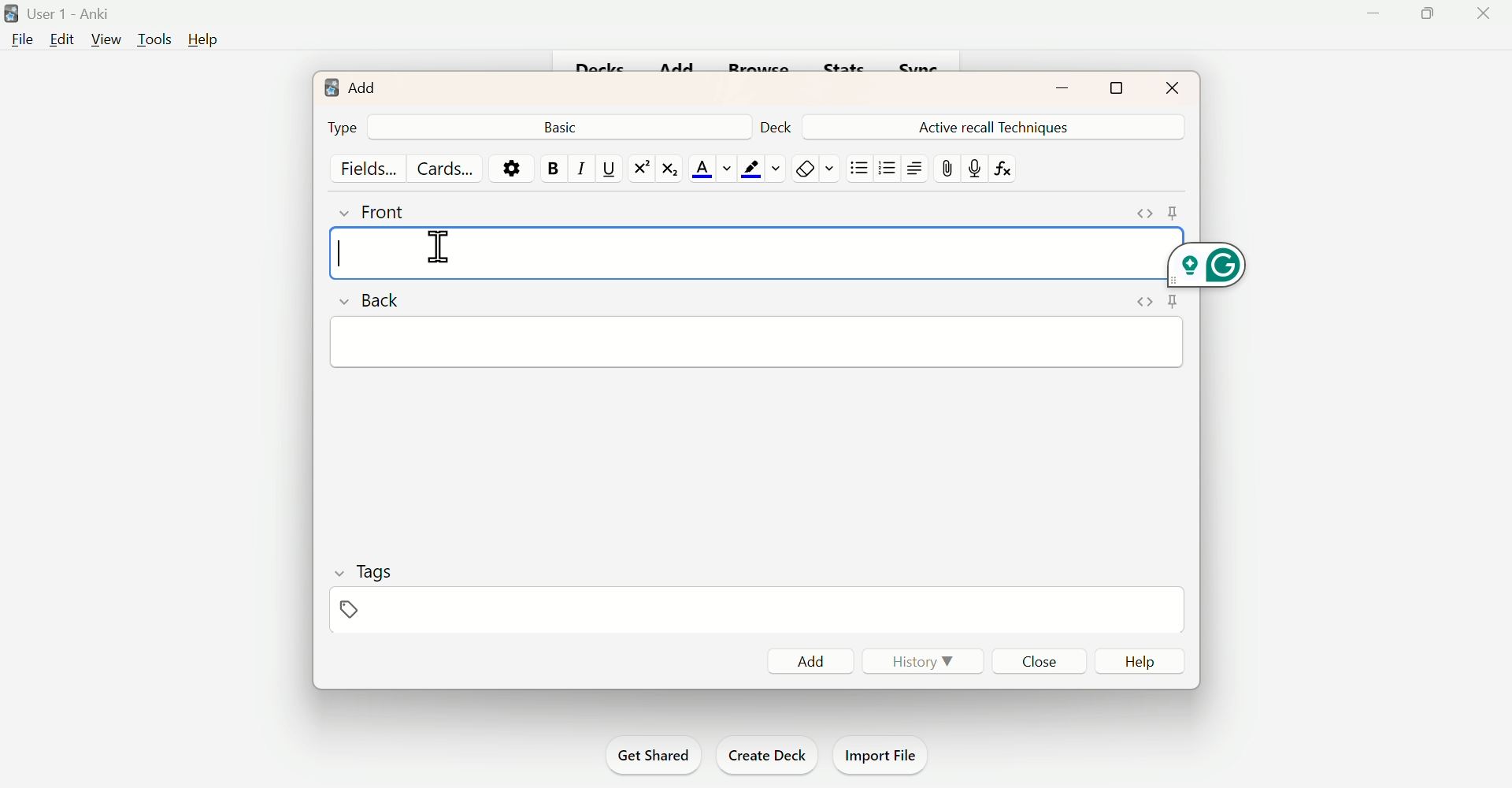 The width and height of the screenshot is (1512, 788). Describe the element at coordinates (1043, 663) in the screenshot. I see `Close` at that location.